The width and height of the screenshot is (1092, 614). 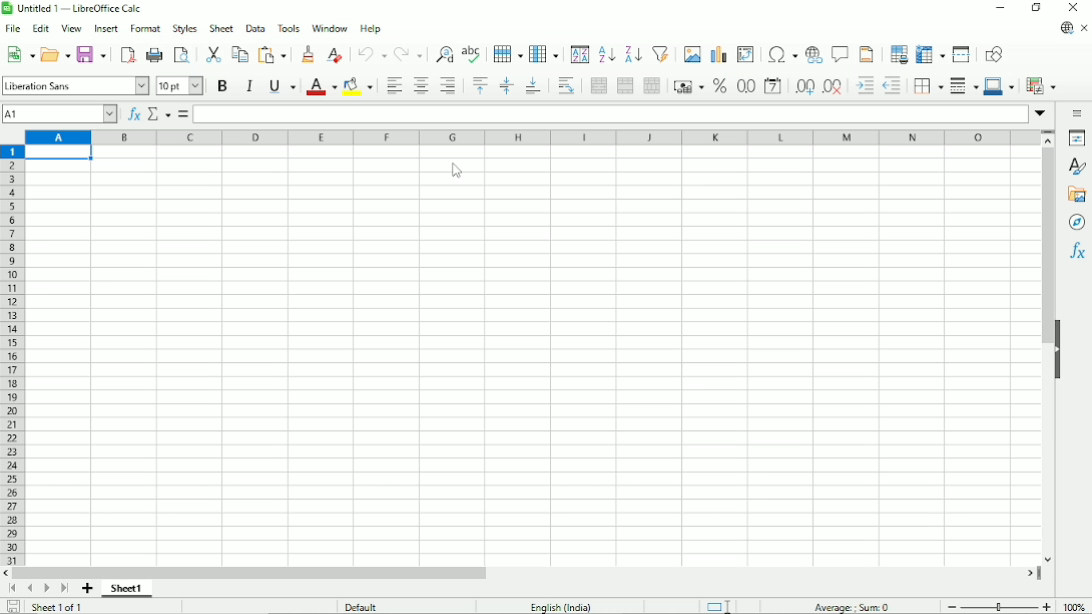 I want to click on Properties, so click(x=1075, y=137).